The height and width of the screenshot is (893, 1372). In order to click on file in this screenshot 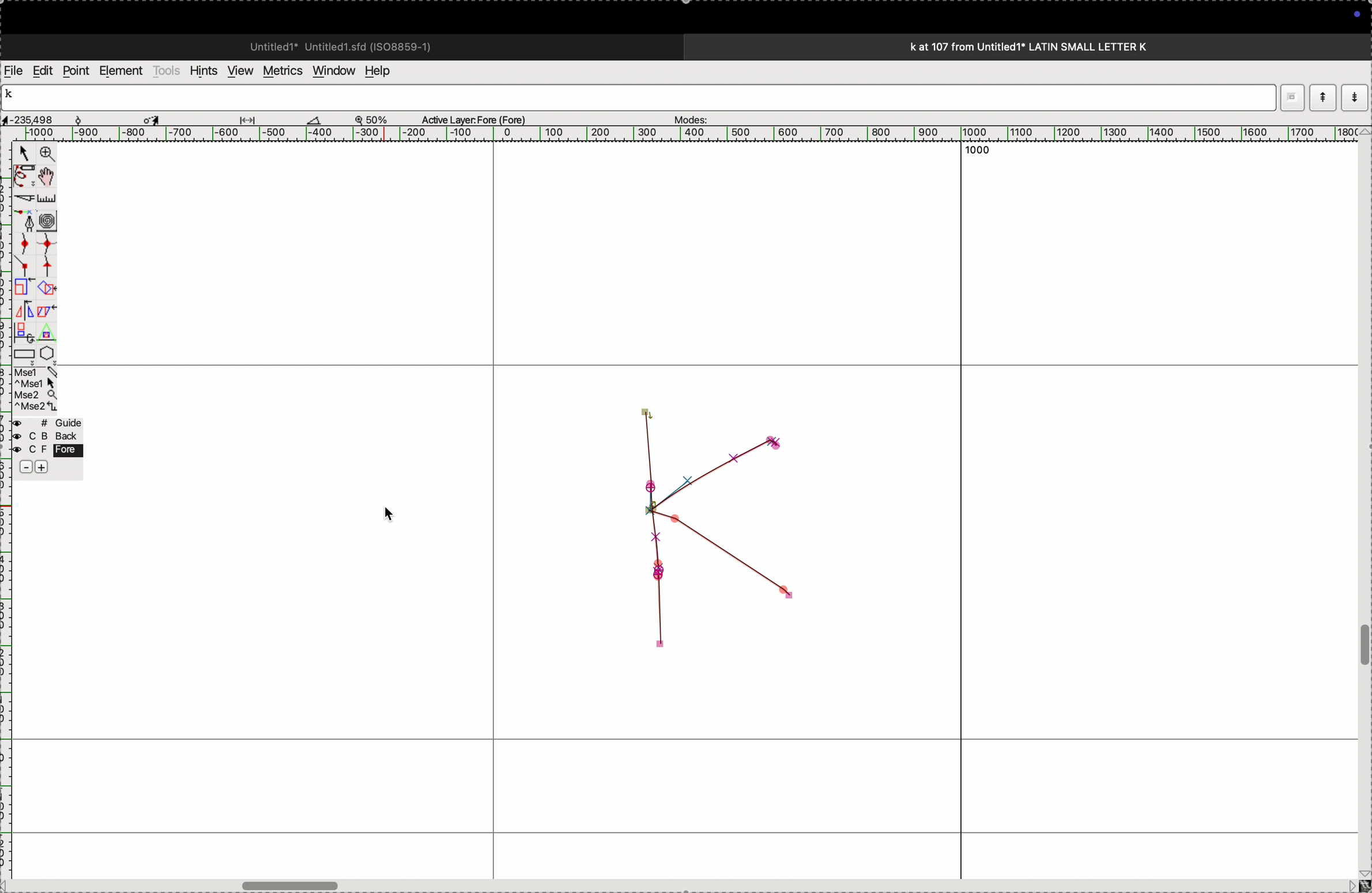, I will do `click(14, 71)`.